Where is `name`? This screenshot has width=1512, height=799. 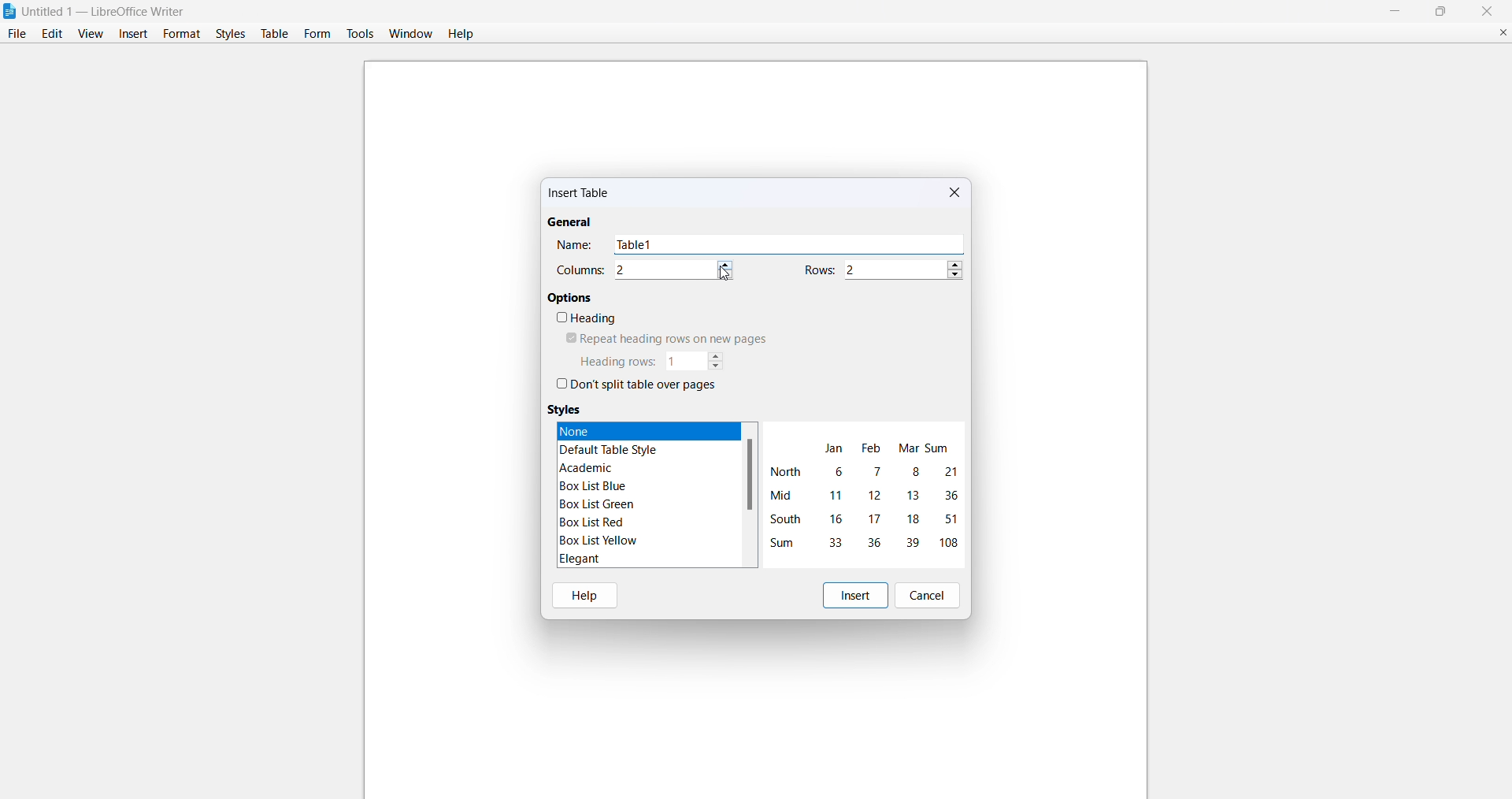 name is located at coordinates (575, 245).